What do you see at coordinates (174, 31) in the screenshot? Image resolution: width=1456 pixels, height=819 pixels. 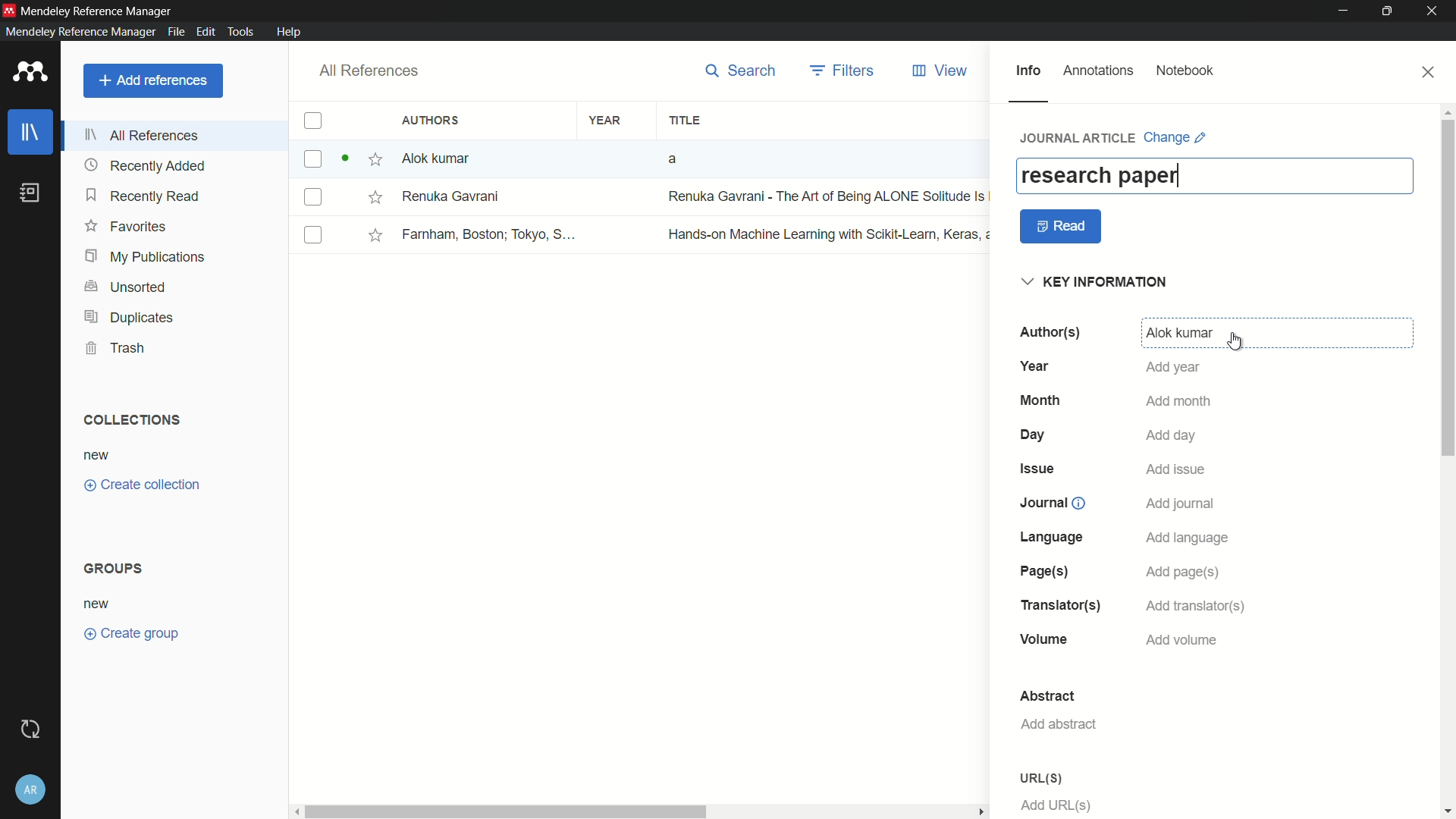 I see `file menu` at bounding box center [174, 31].